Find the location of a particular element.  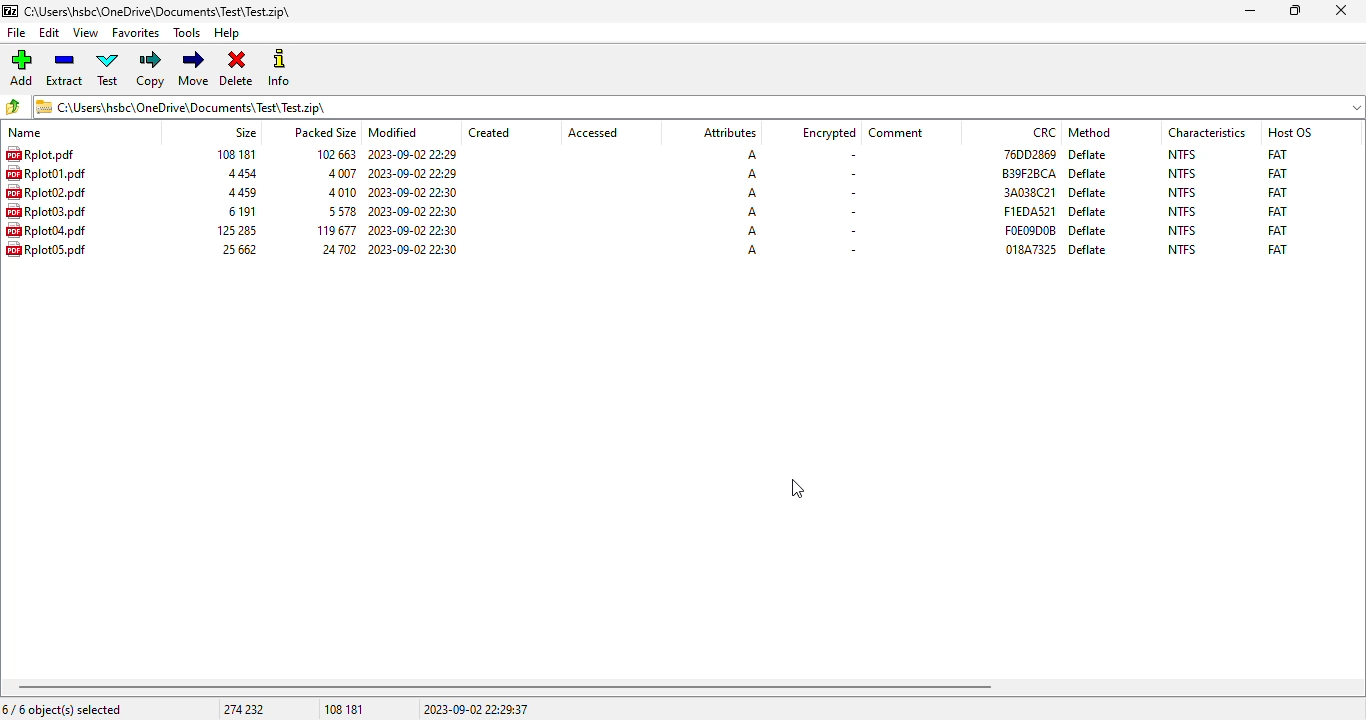

- is located at coordinates (851, 251).